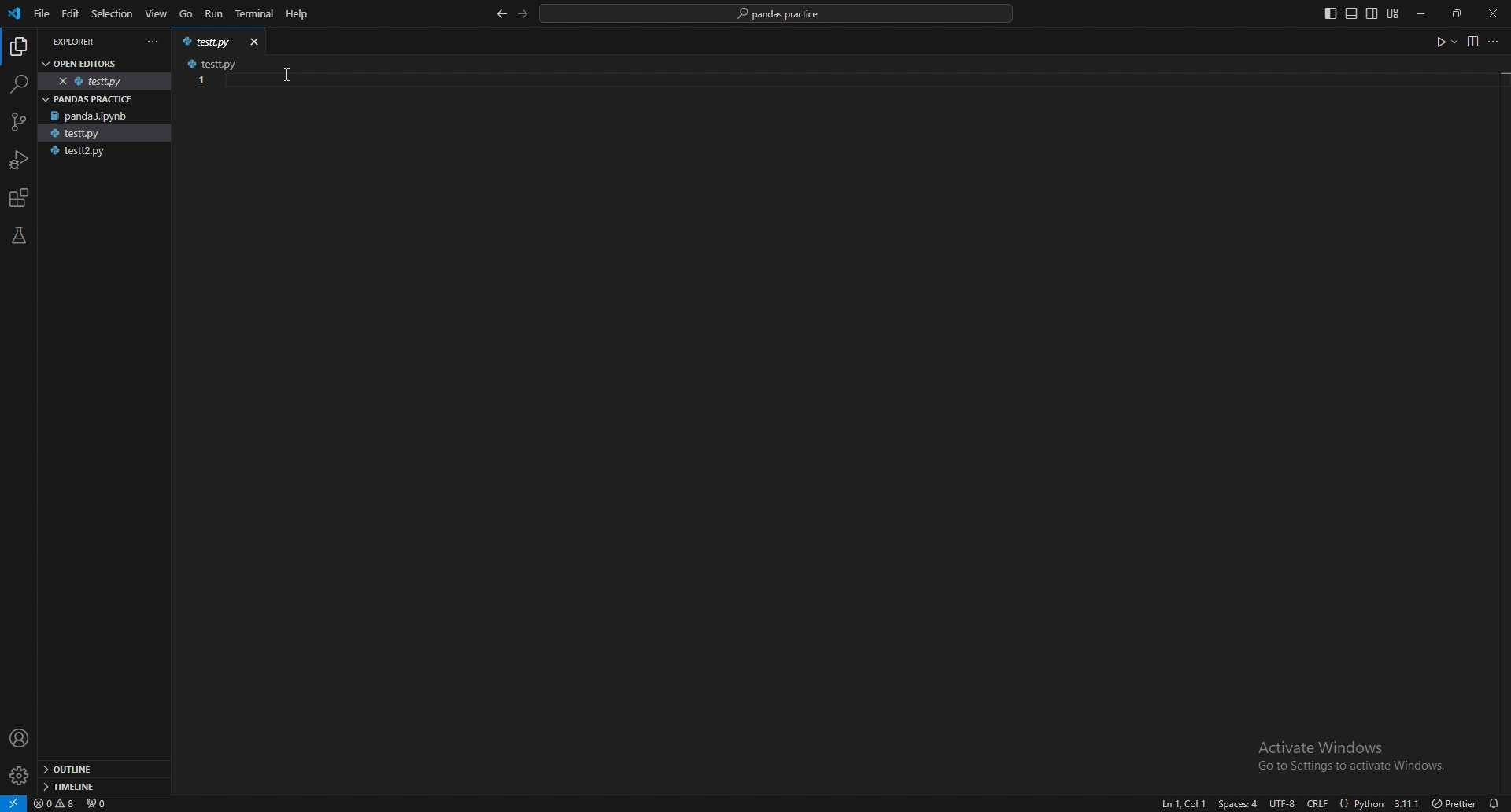 This screenshot has width=1511, height=812. What do you see at coordinates (73, 134) in the screenshot?
I see `testt.py` at bounding box center [73, 134].